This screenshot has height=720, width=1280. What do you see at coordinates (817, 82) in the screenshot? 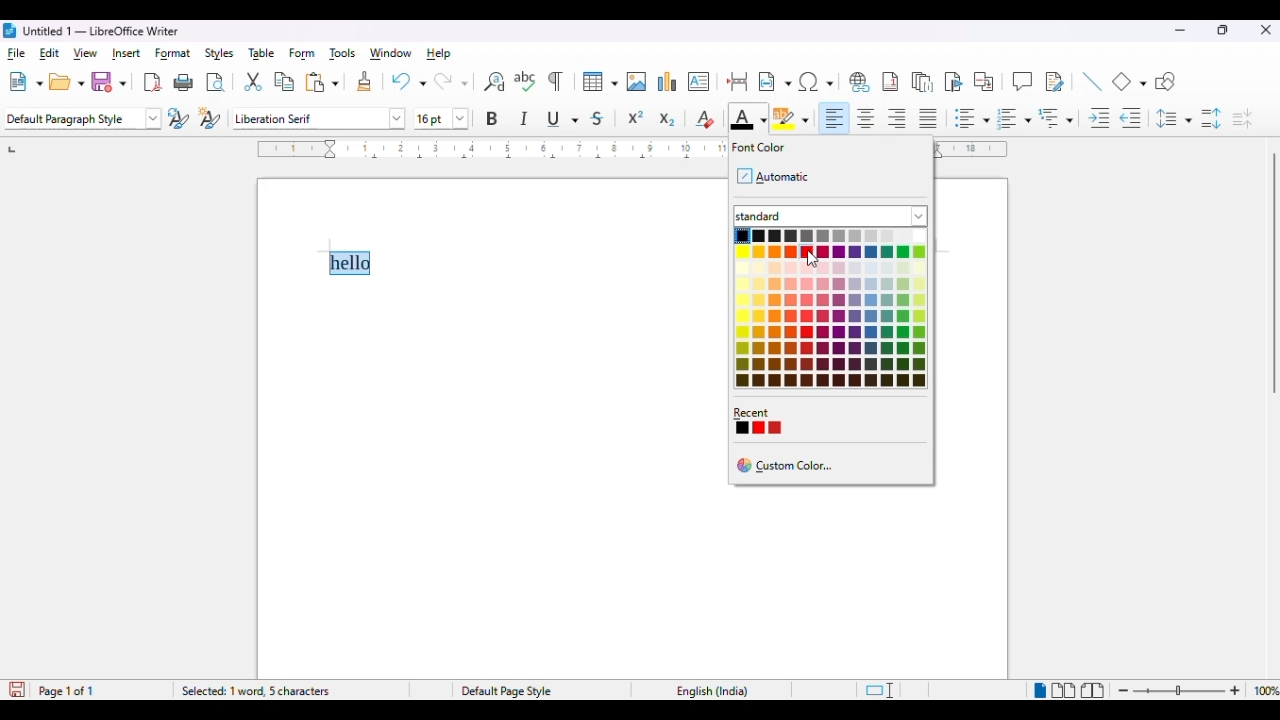
I see `insert special characters` at bounding box center [817, 82].